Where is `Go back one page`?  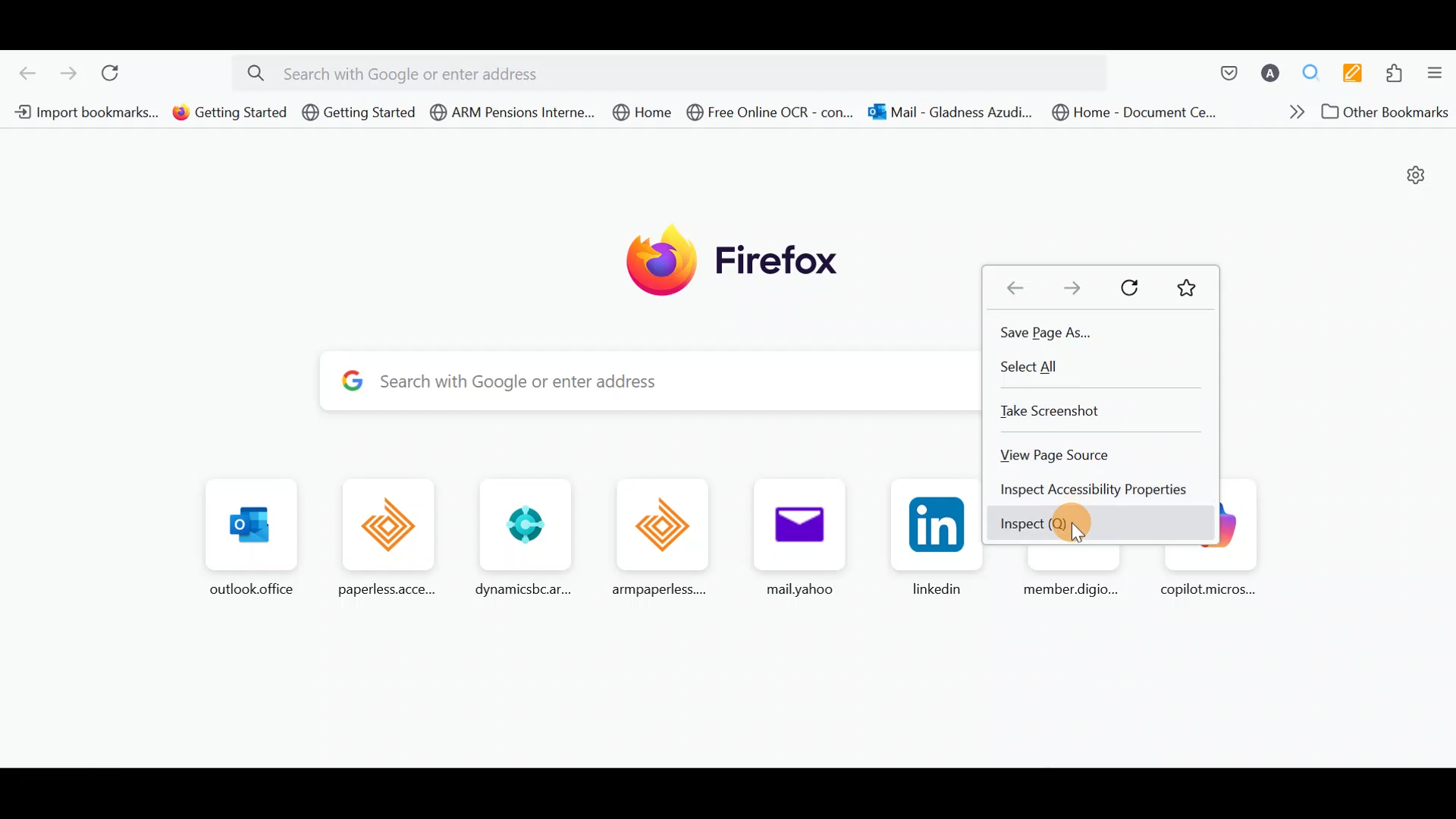 Go back one page is located at coordinates (21, 70).